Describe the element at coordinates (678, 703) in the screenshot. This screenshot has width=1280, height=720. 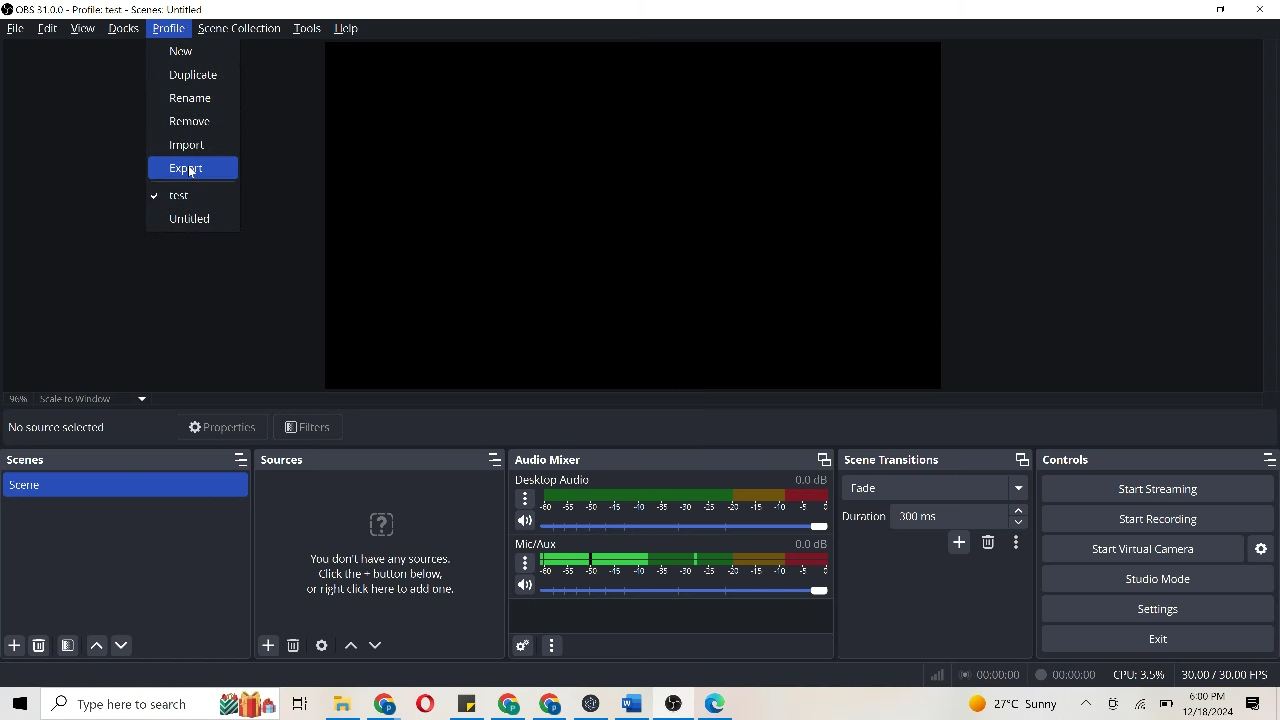
I see `icon` at that location.